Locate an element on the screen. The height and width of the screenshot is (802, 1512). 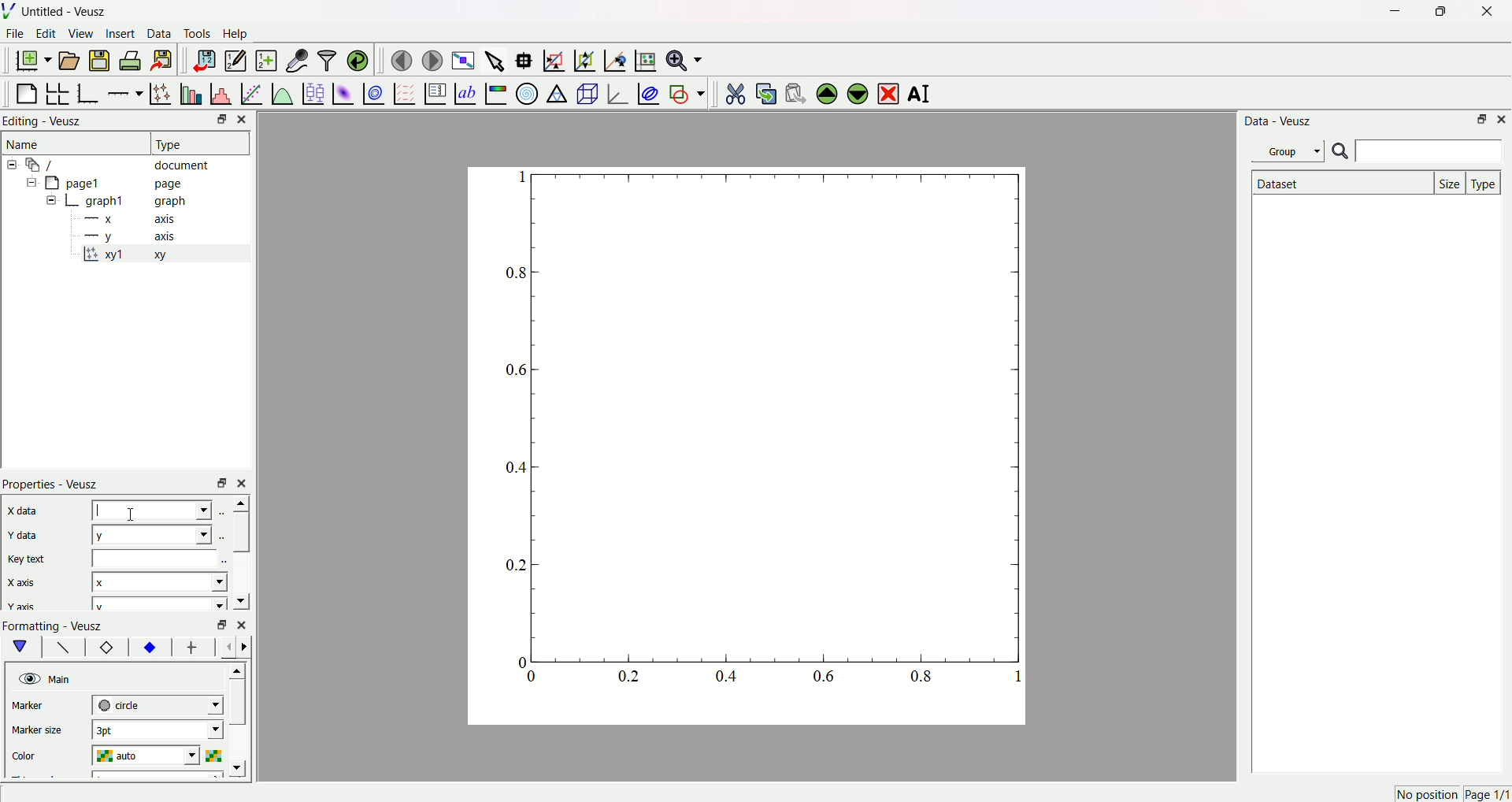
move down is located at coordinates (241, 768).